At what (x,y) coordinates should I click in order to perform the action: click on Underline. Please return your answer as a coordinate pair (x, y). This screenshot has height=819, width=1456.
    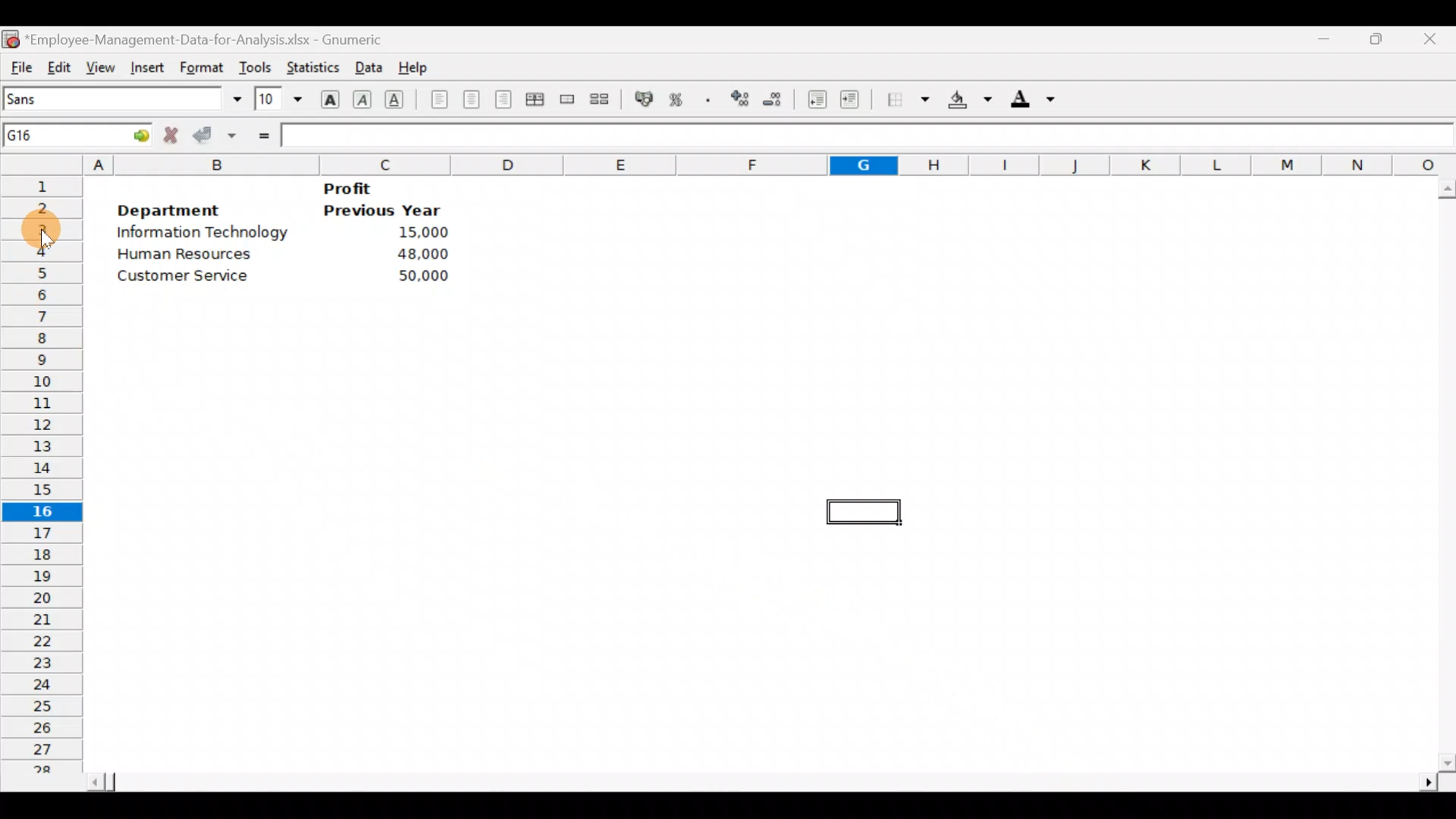
    Looking at the image, I should click on (399, 99).